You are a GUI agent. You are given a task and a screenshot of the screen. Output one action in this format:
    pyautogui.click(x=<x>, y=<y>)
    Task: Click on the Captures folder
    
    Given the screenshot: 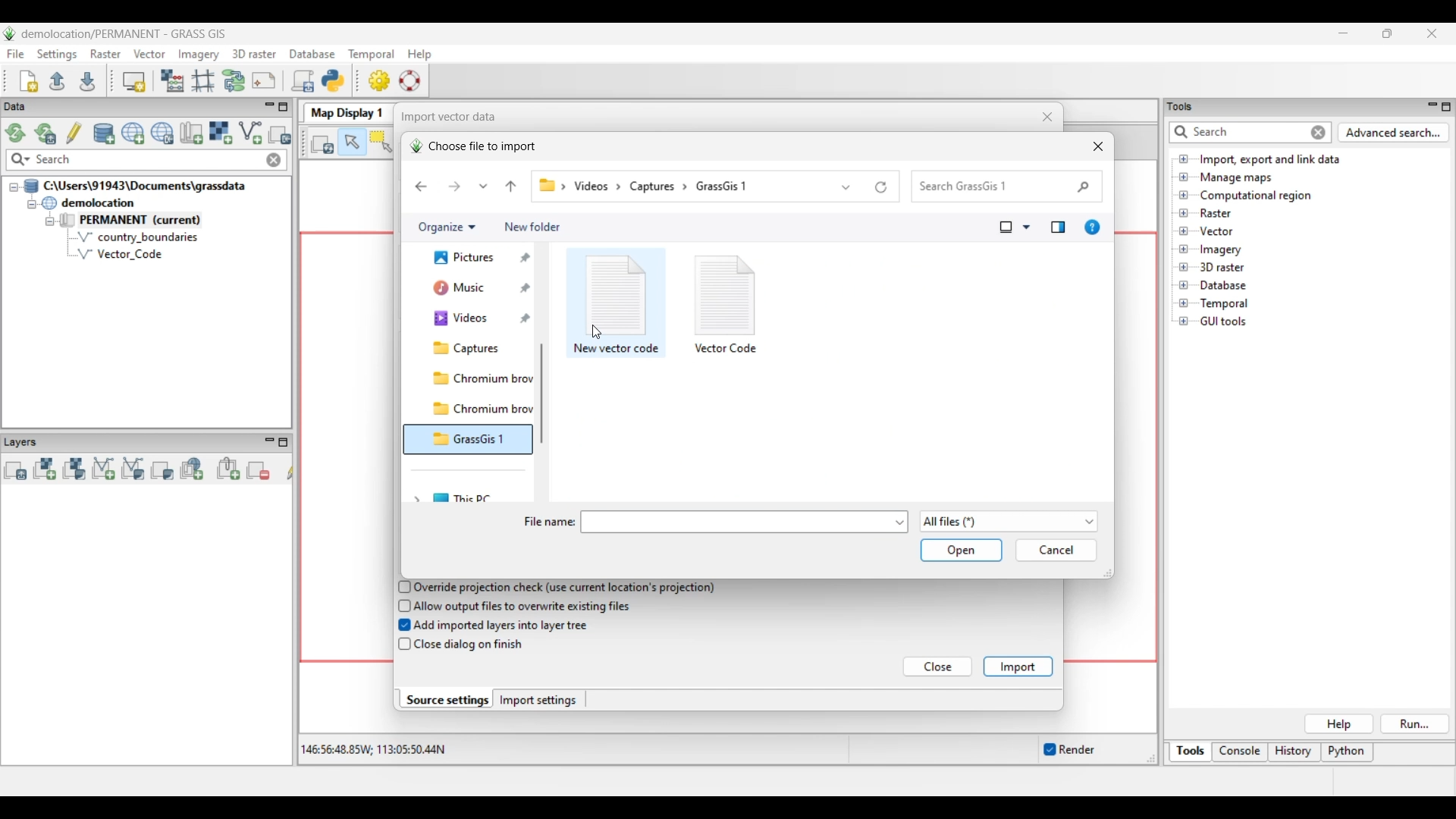 What is the action you would take?
    pyautogui.click(x=477, y=378)
    